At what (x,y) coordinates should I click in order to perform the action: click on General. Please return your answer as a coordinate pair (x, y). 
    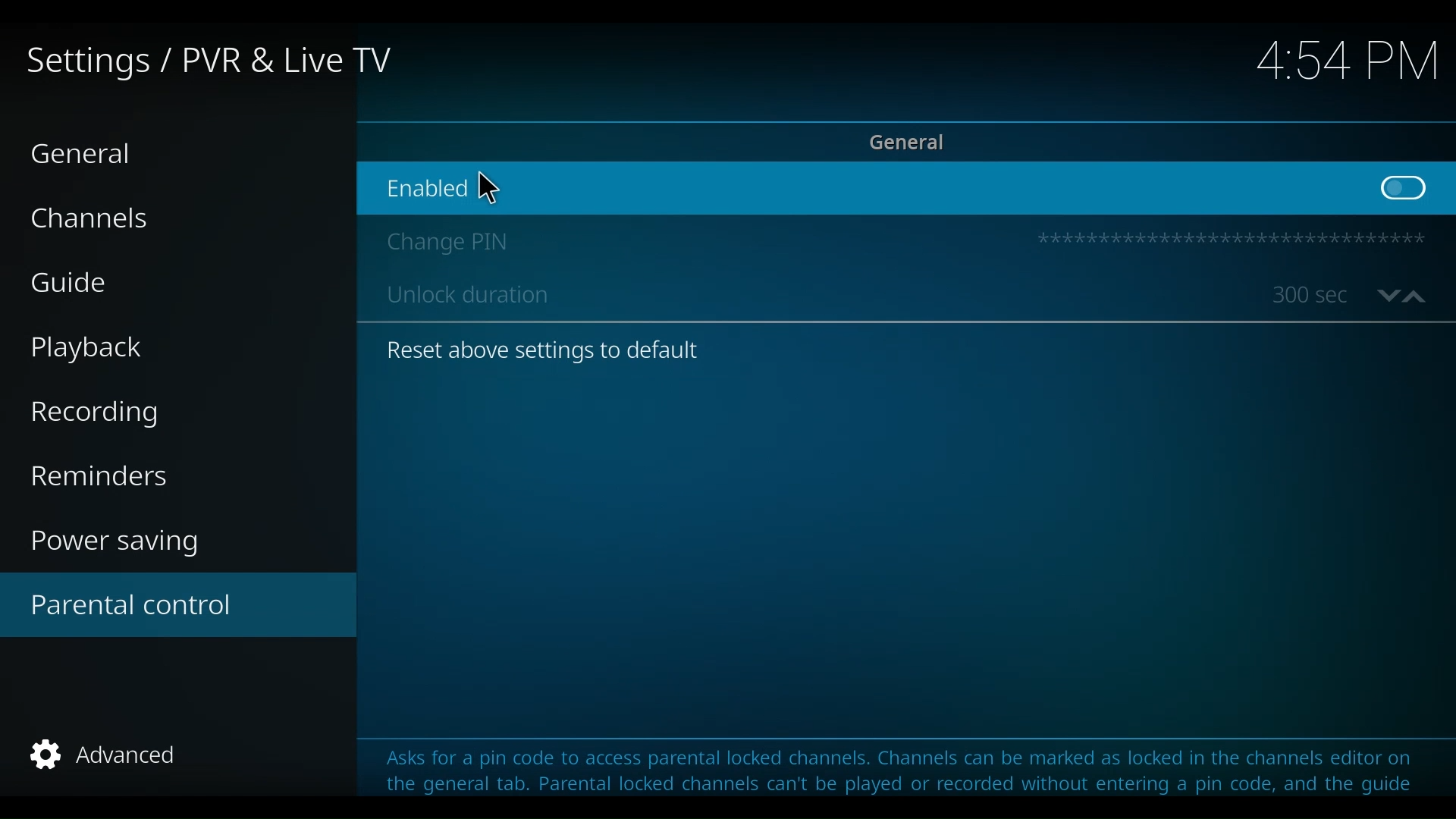
    Looking at the image, I should click on (86, 154).